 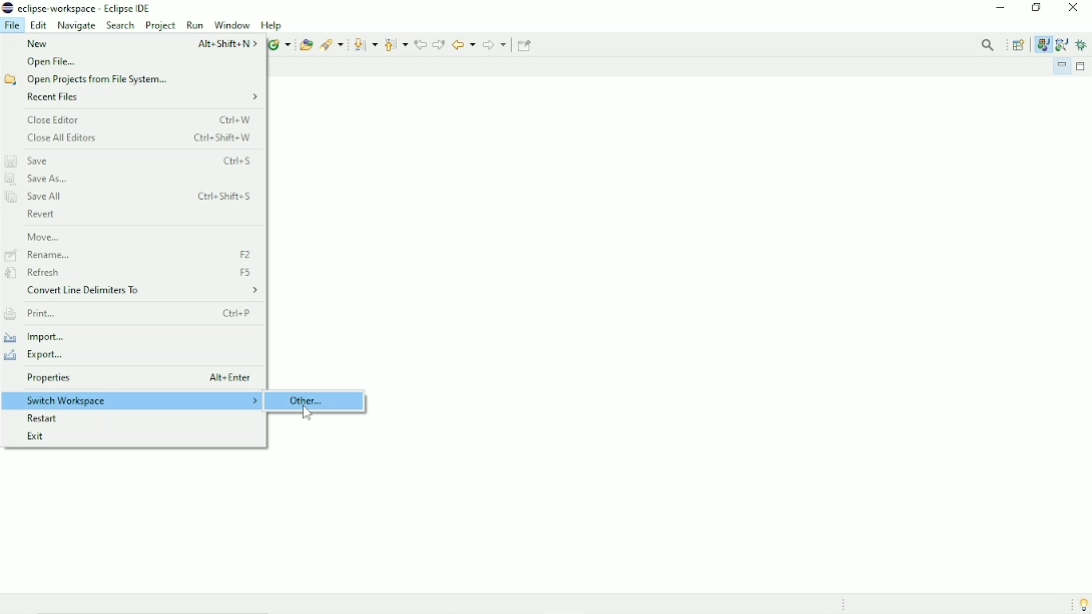 I want to click on Forward, so click(x=495, y=45).